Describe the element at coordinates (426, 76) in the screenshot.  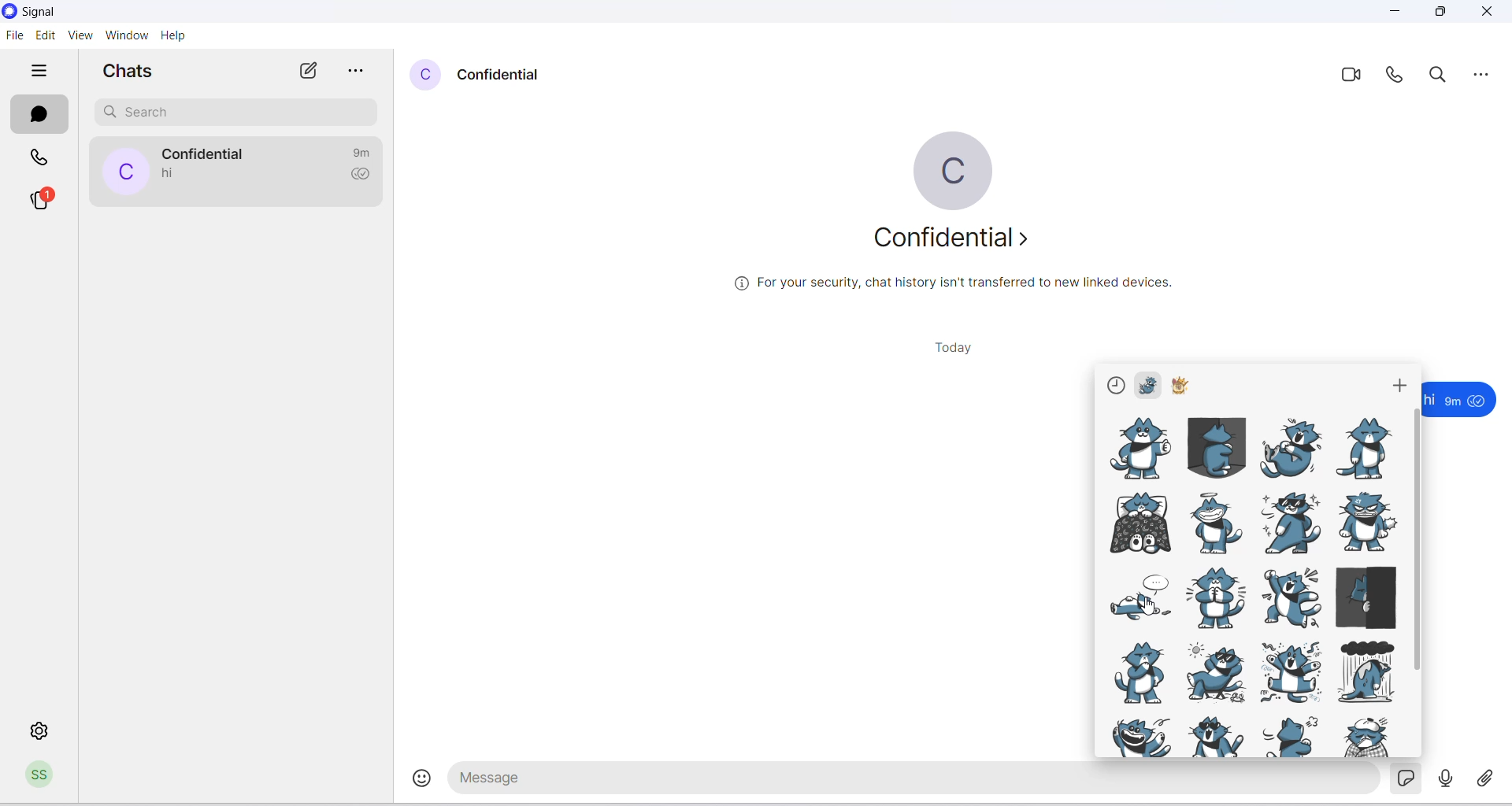
I see `profile picture` at that location.